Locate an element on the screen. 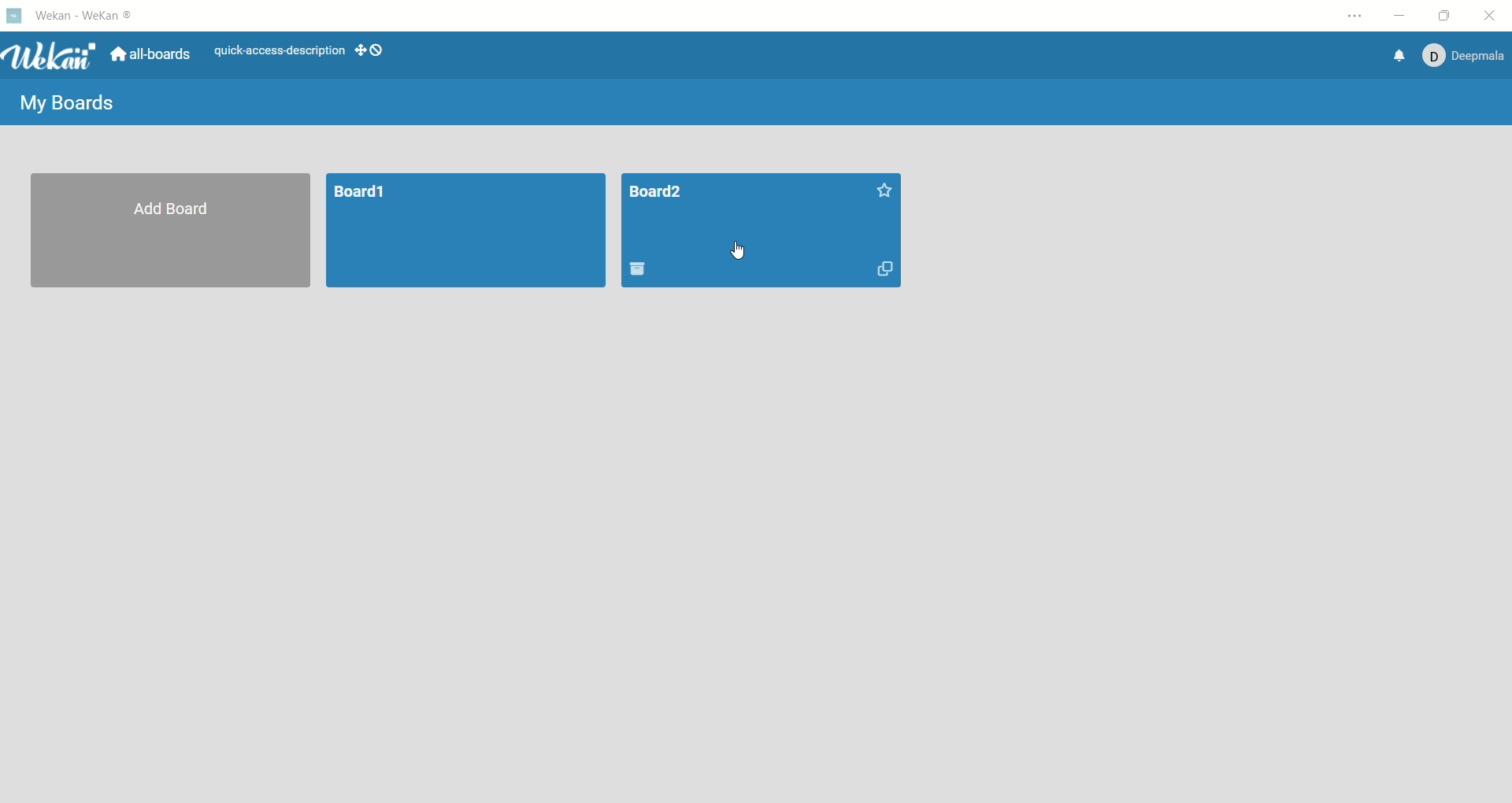  minimize is located at coordinates (1401, 13).